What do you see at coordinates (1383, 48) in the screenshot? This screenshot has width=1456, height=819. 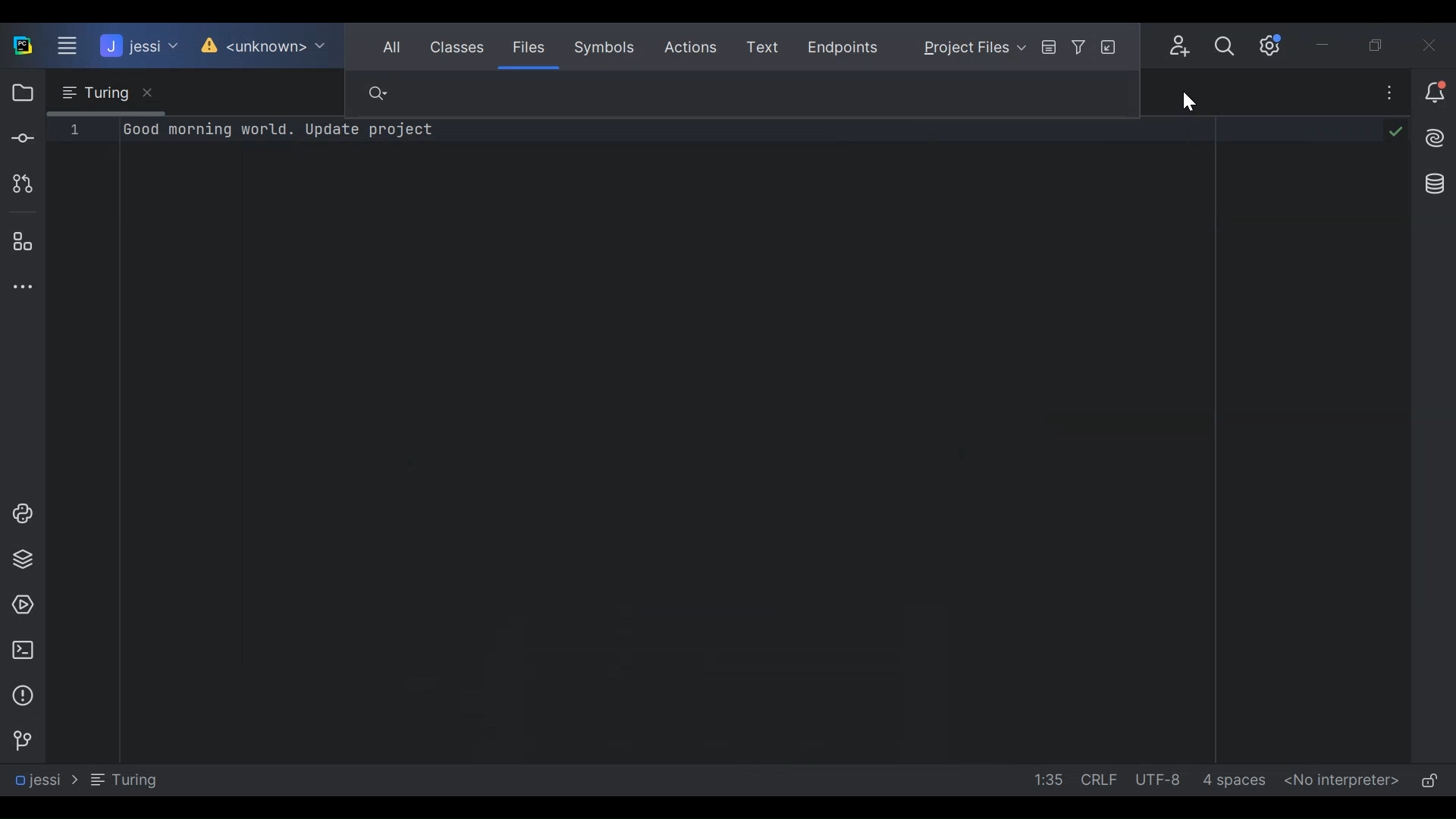 I see `Restore` at bounding box center [1383, 48].